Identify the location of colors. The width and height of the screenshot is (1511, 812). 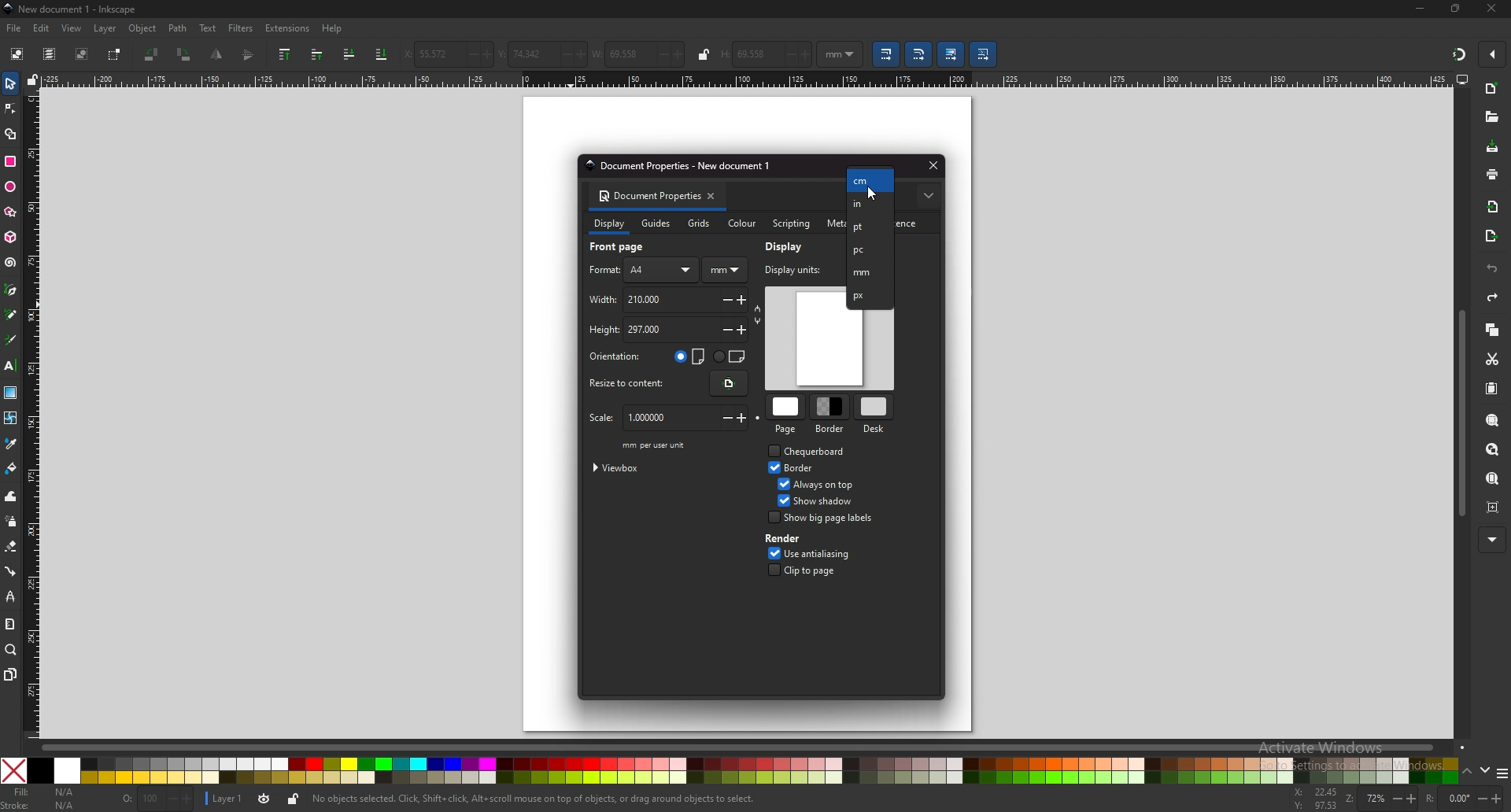
(744, 771).